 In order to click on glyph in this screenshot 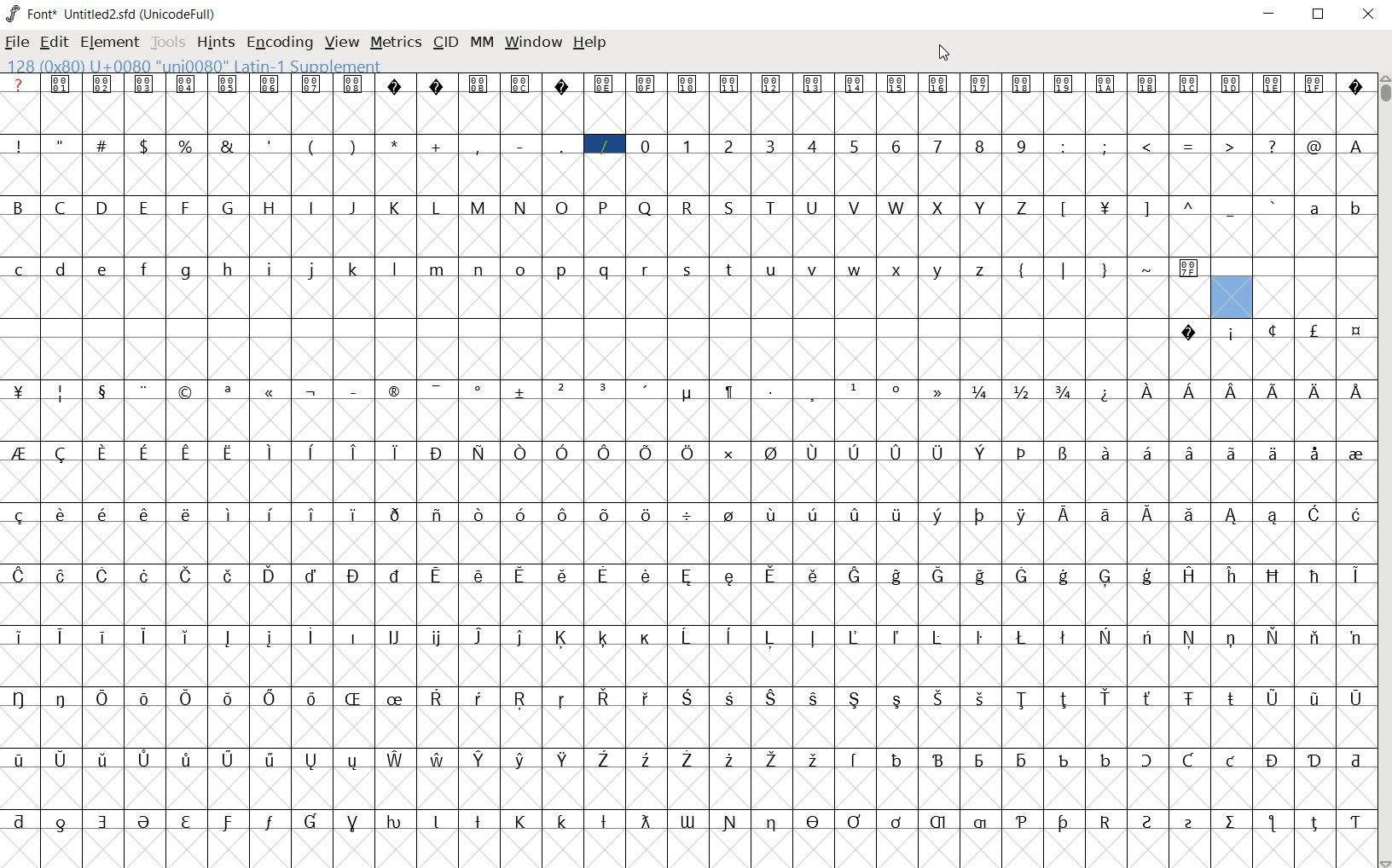, I will do `click(143, 454)`.